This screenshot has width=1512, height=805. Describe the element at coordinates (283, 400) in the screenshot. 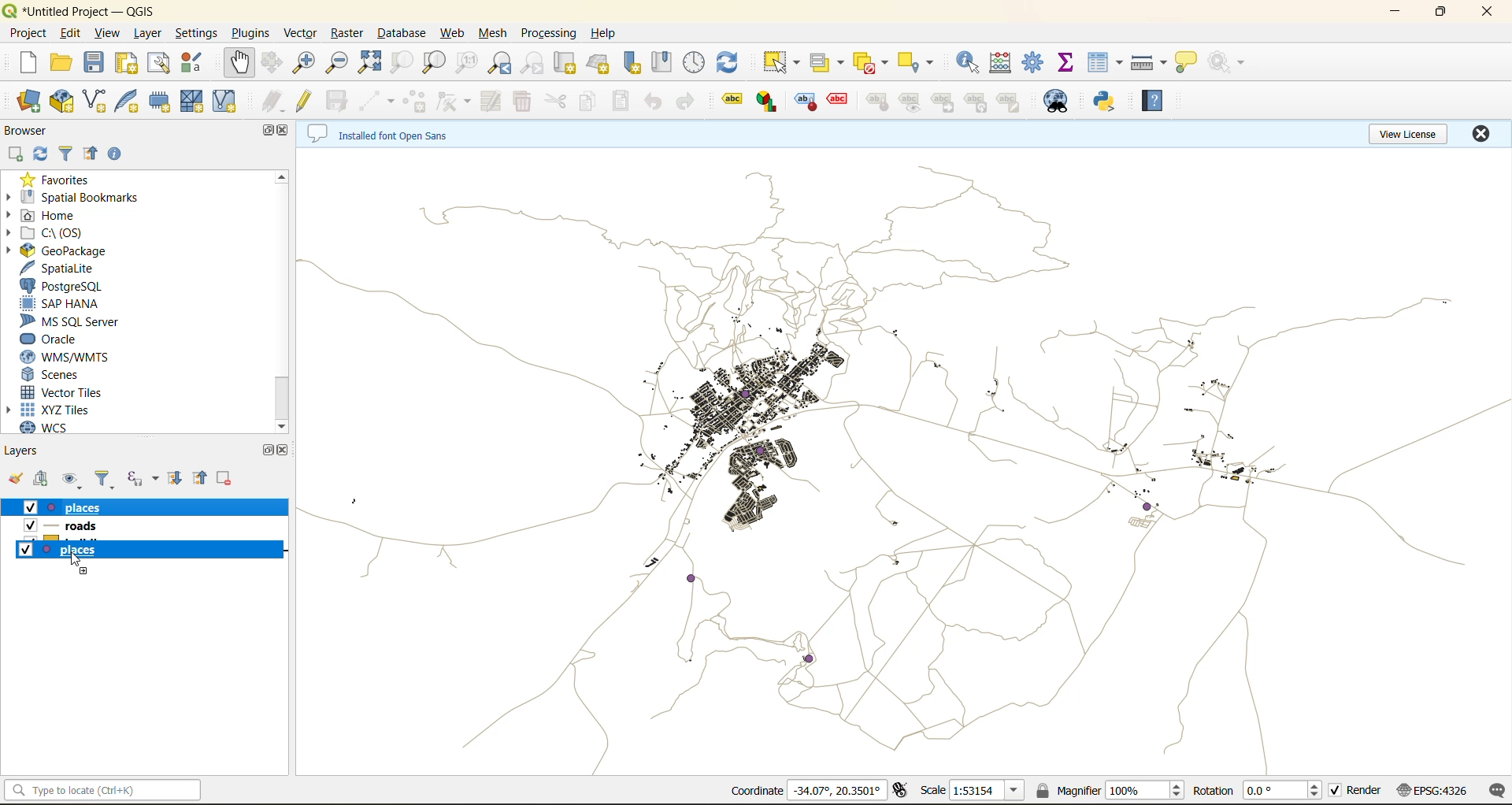

I see `scrollbar` at that location.